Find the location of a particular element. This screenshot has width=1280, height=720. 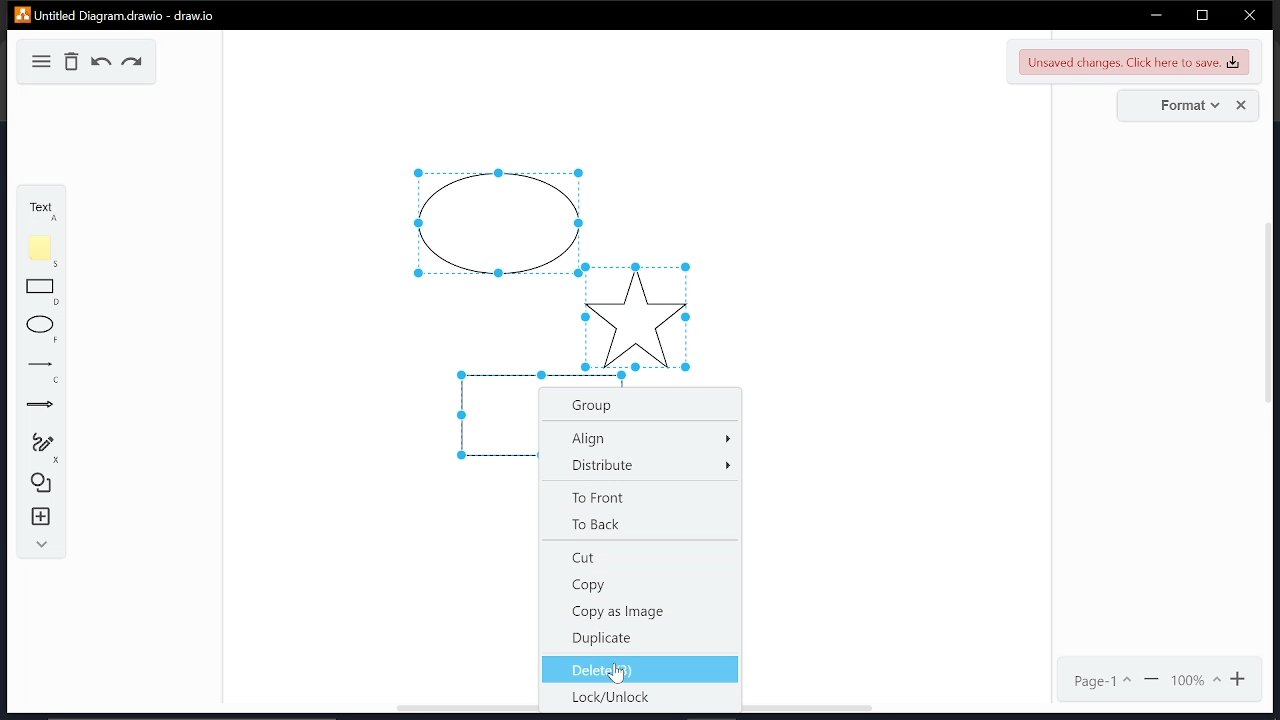

group is located at coordinates (639, 405).